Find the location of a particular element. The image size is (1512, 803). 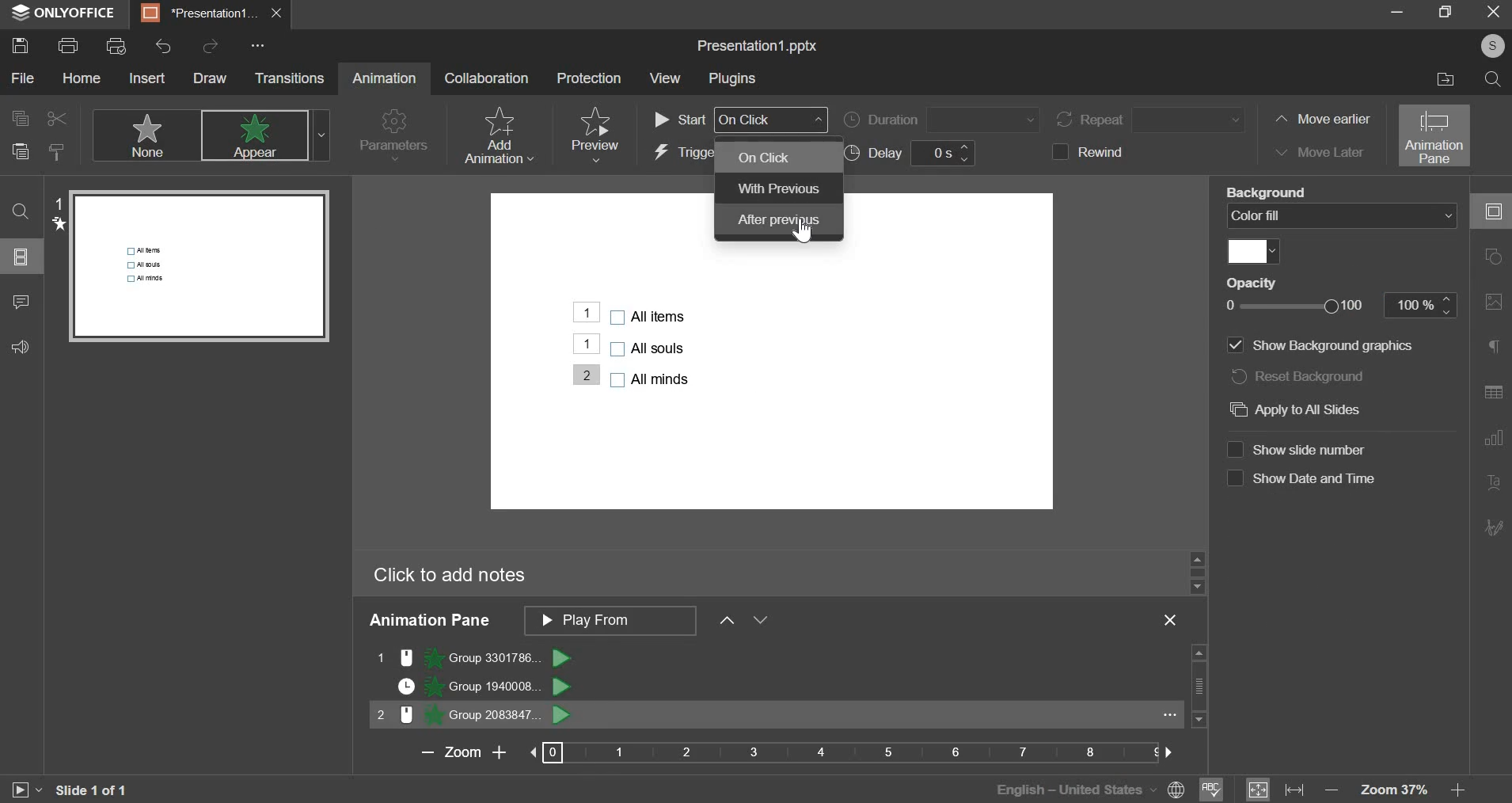

copy is located at coordinates (18, 117).